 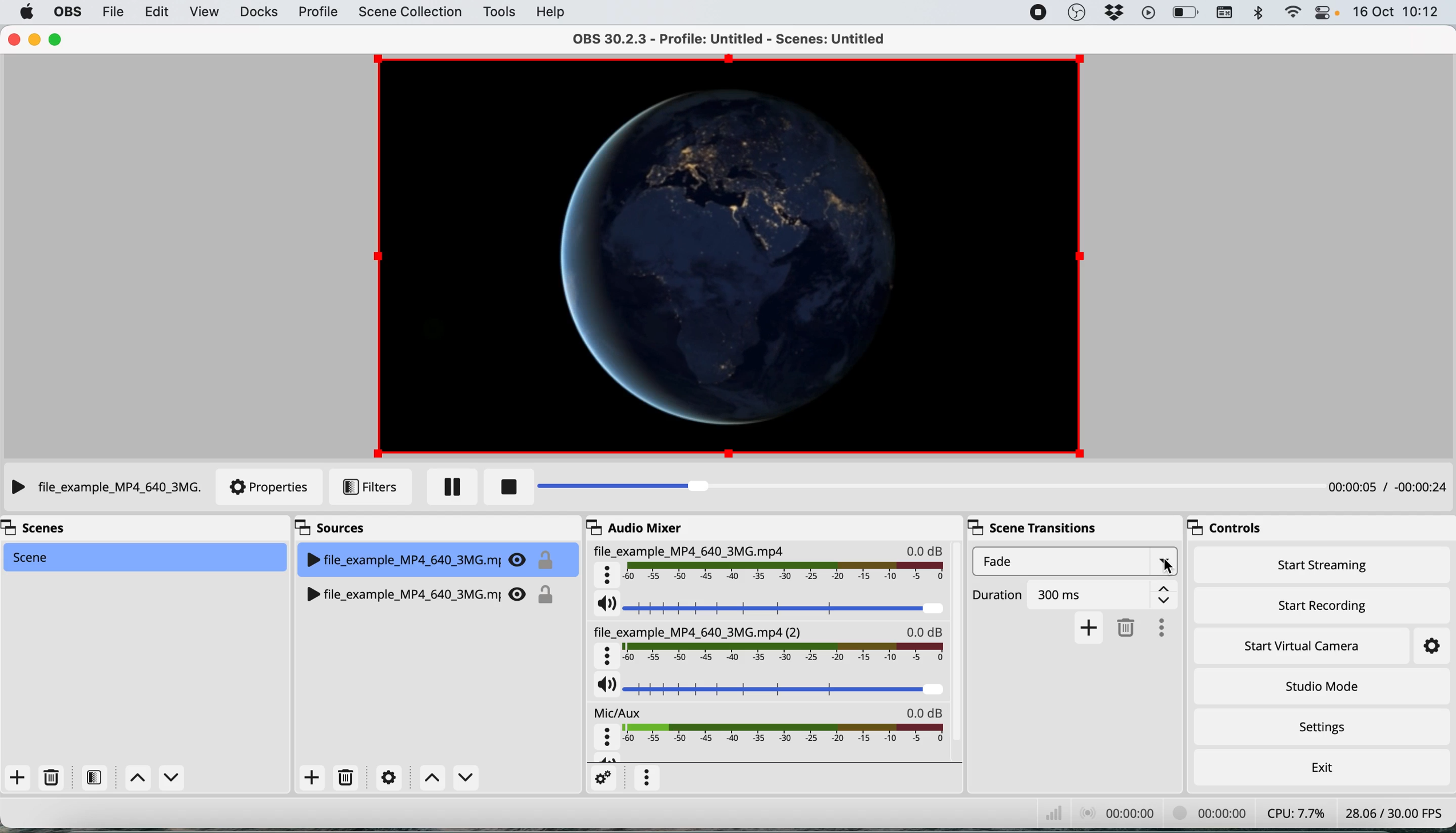 What do you see at coordinates (409, 12) in the screenshot?
I see `scene collection` at bounding box center [409, 12].